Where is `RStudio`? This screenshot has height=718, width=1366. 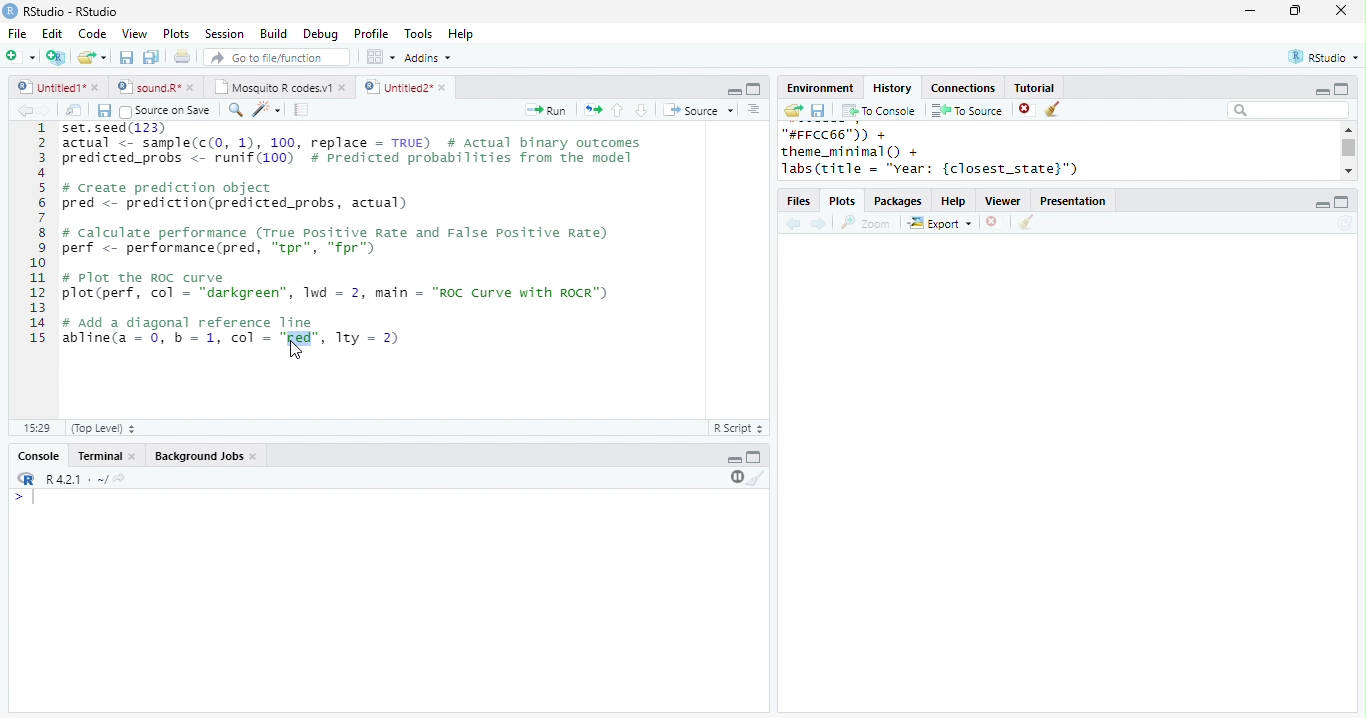 RStudio is located at coordinates (1326, 56).